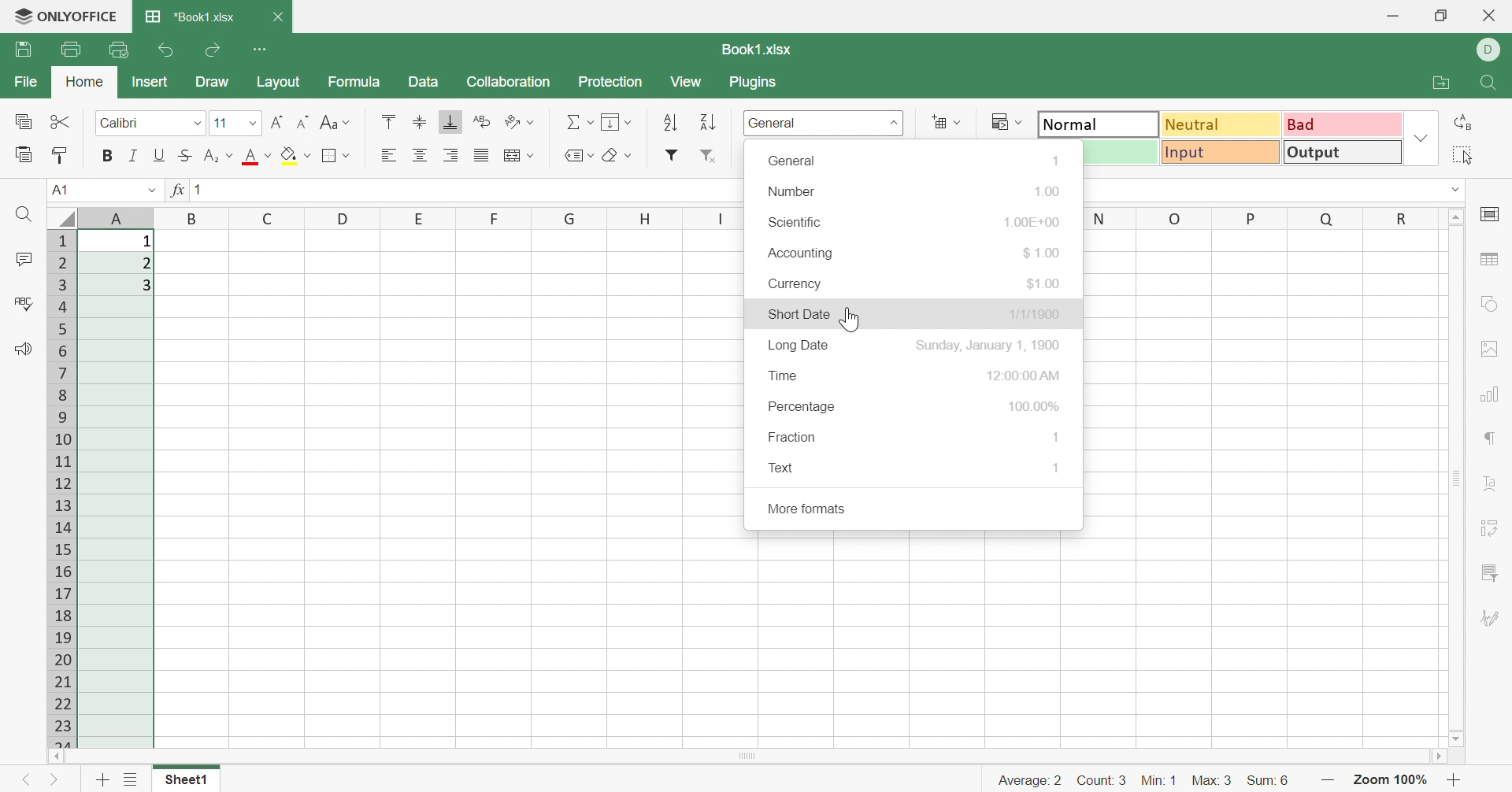 This screenshot has height=792, width=1512. Describe the element at coordinates (263, 49) in the screenshot. I see `Customize Quick Access Toolbar` at that location.